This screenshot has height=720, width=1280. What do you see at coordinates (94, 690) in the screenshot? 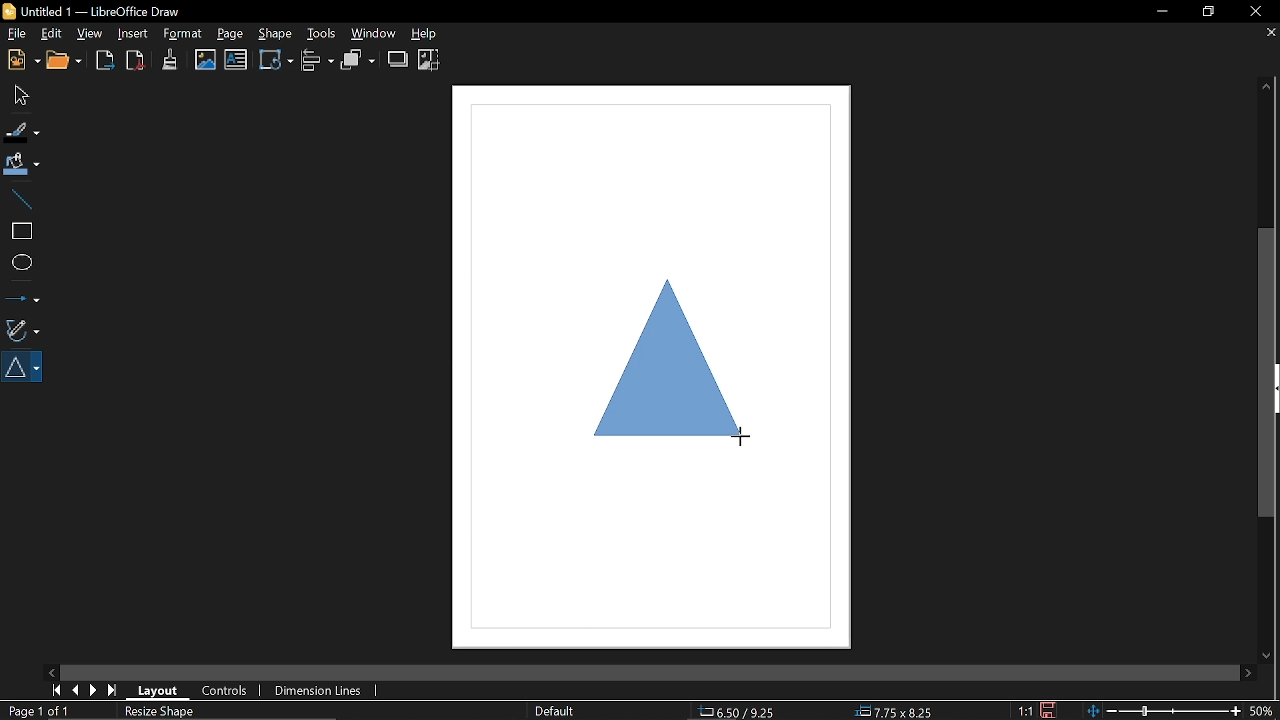
I see `Next page` at bounding box center [94, 690].